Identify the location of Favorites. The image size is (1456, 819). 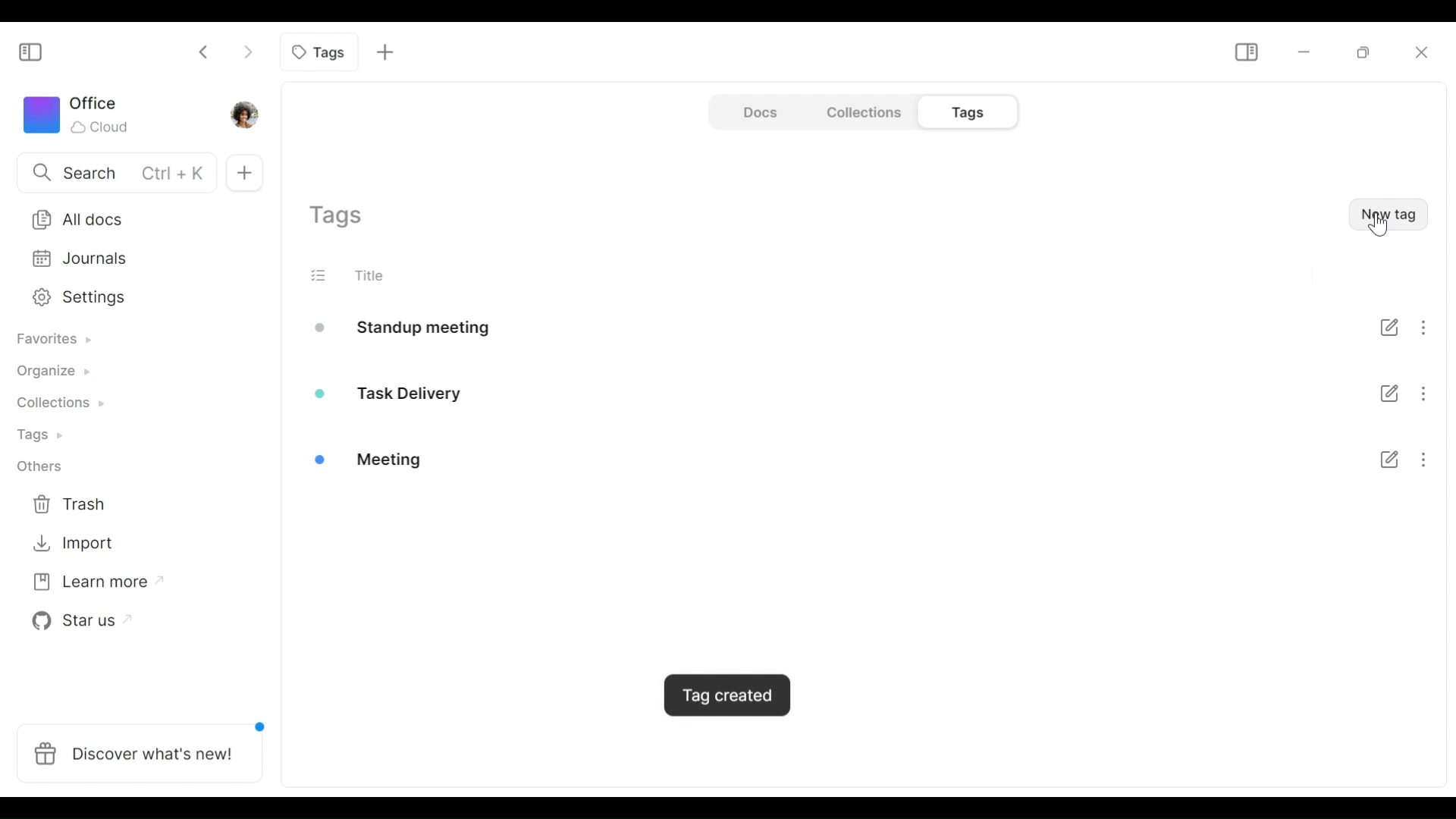
(54, 340).